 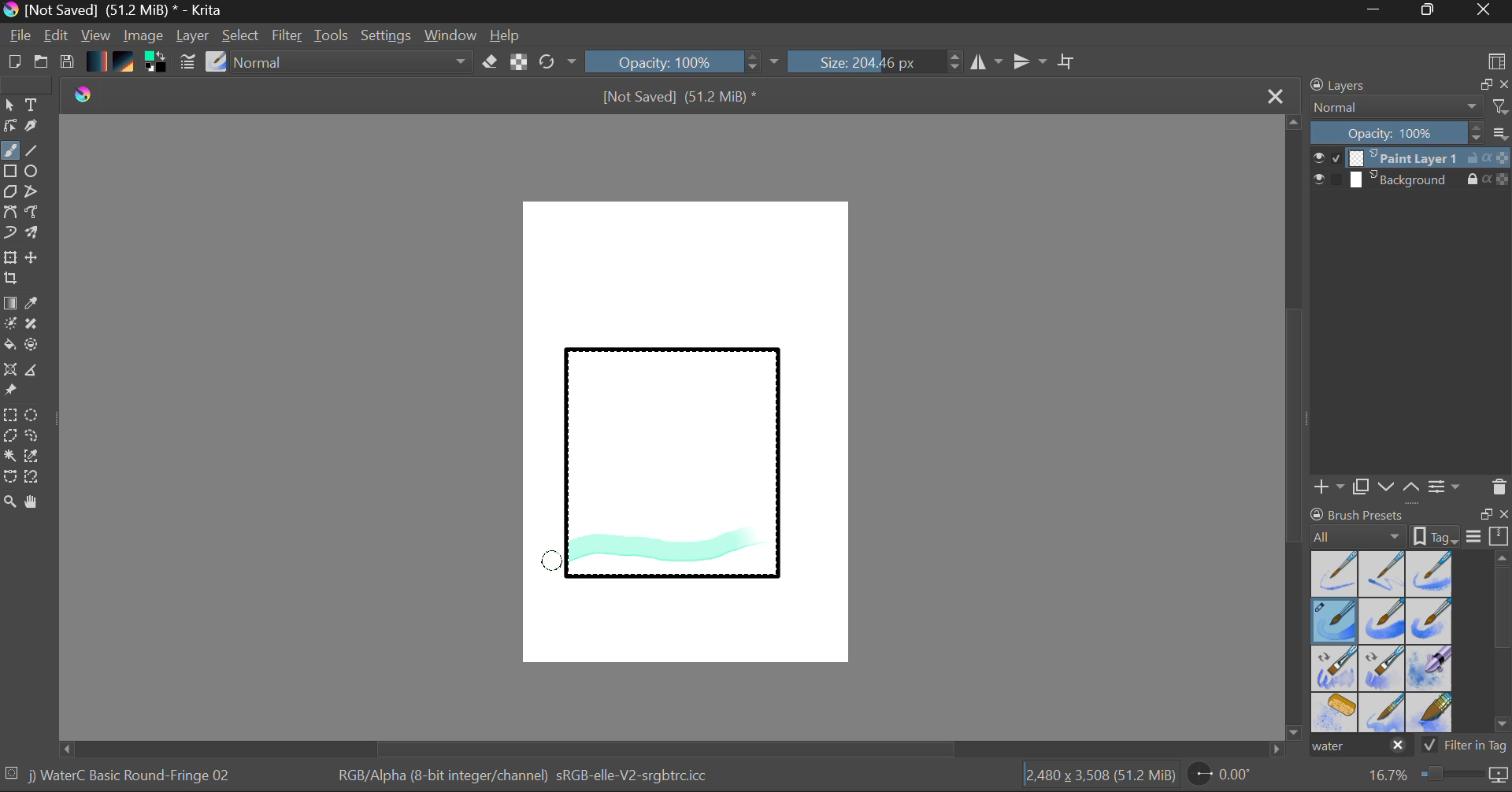 What do you see at coordinates (1499, 487) in the screenshot?
I see `Delete Layer` at bounding box center [1499, 487].